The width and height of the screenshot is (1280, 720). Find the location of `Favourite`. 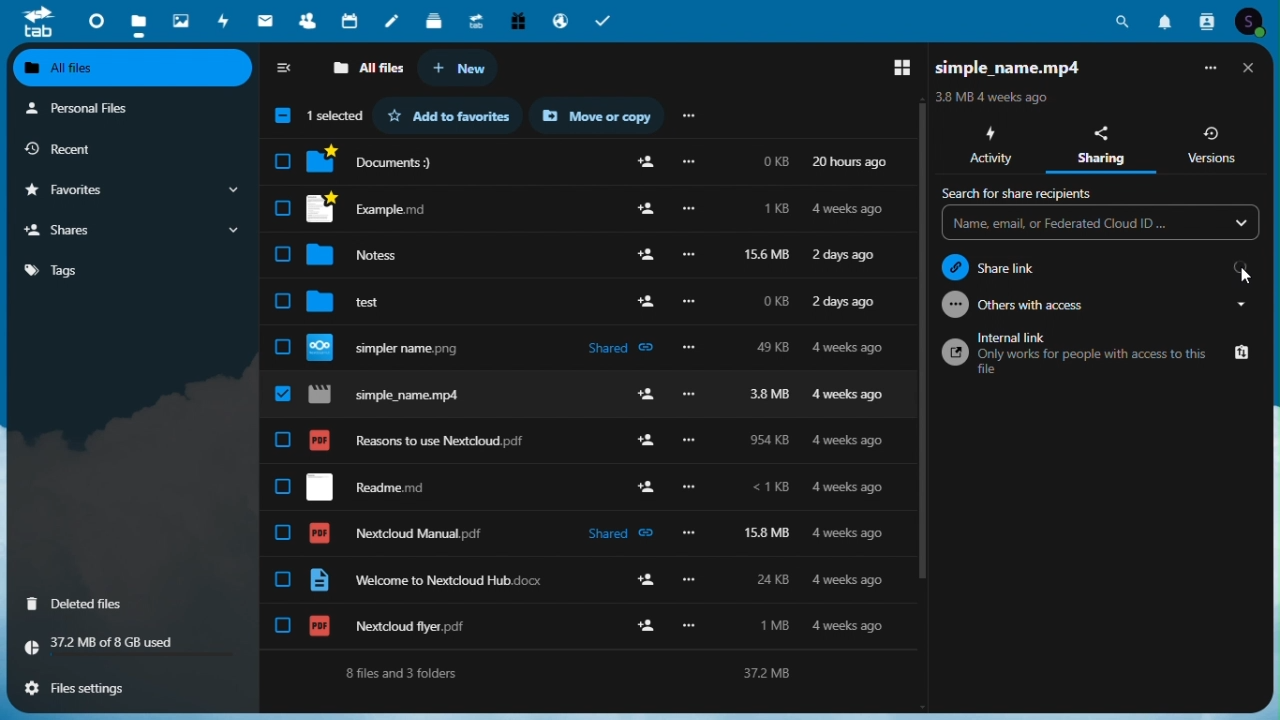

Favourite is located at coordinates (131, 190).